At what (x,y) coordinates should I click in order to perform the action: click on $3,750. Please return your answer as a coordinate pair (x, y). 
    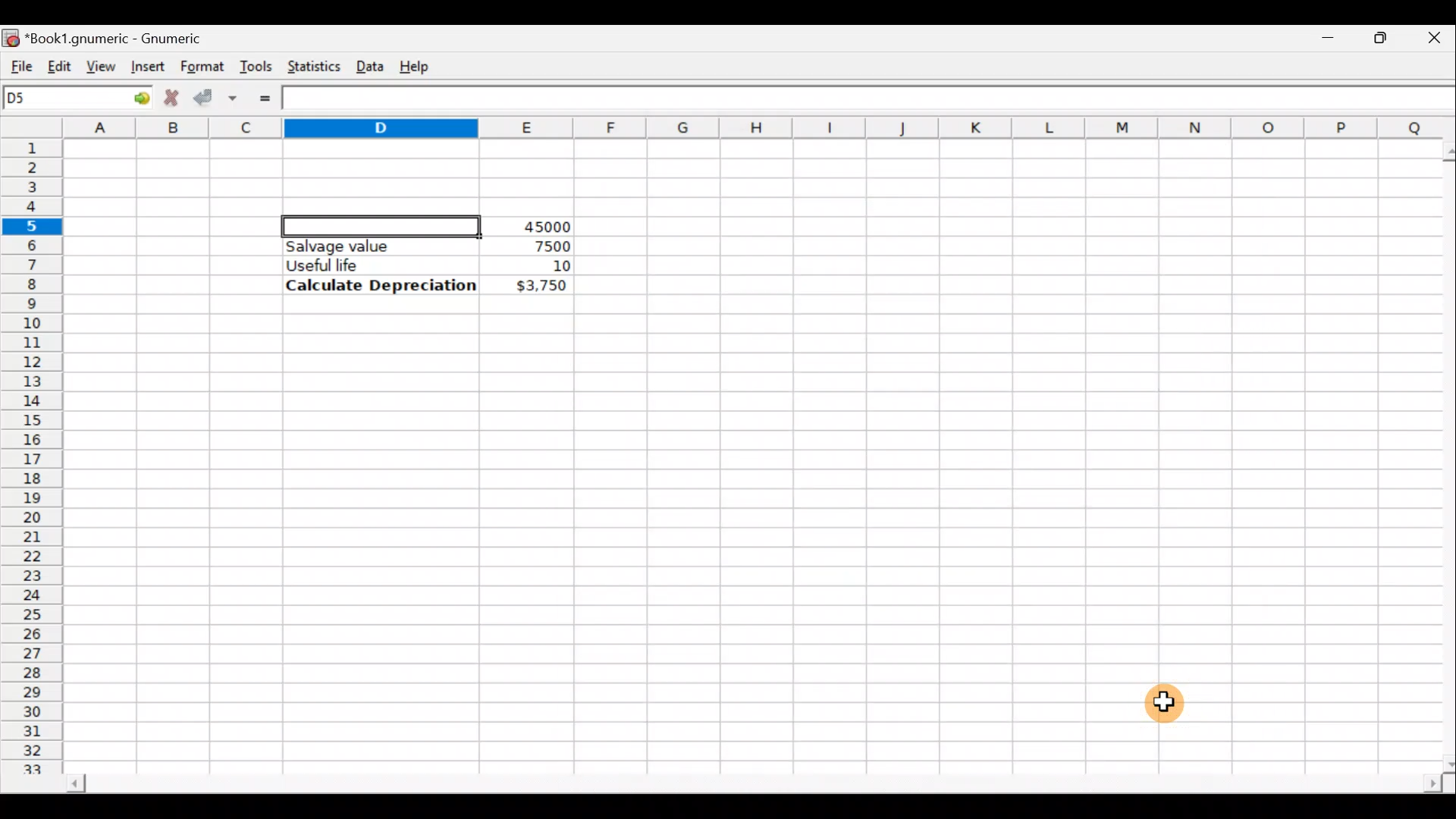
    Looking at the image, I should click on (540, 287).